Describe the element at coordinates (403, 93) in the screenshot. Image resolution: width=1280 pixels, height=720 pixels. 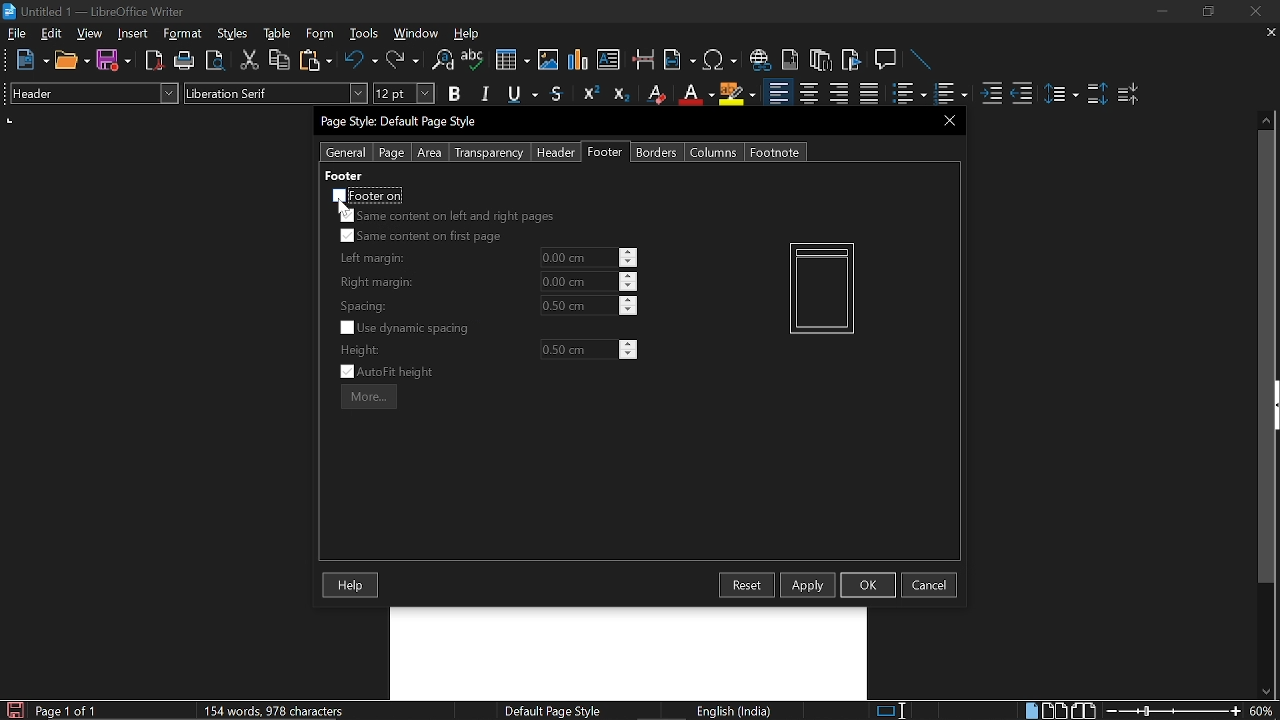
I see `Text size` at that location.